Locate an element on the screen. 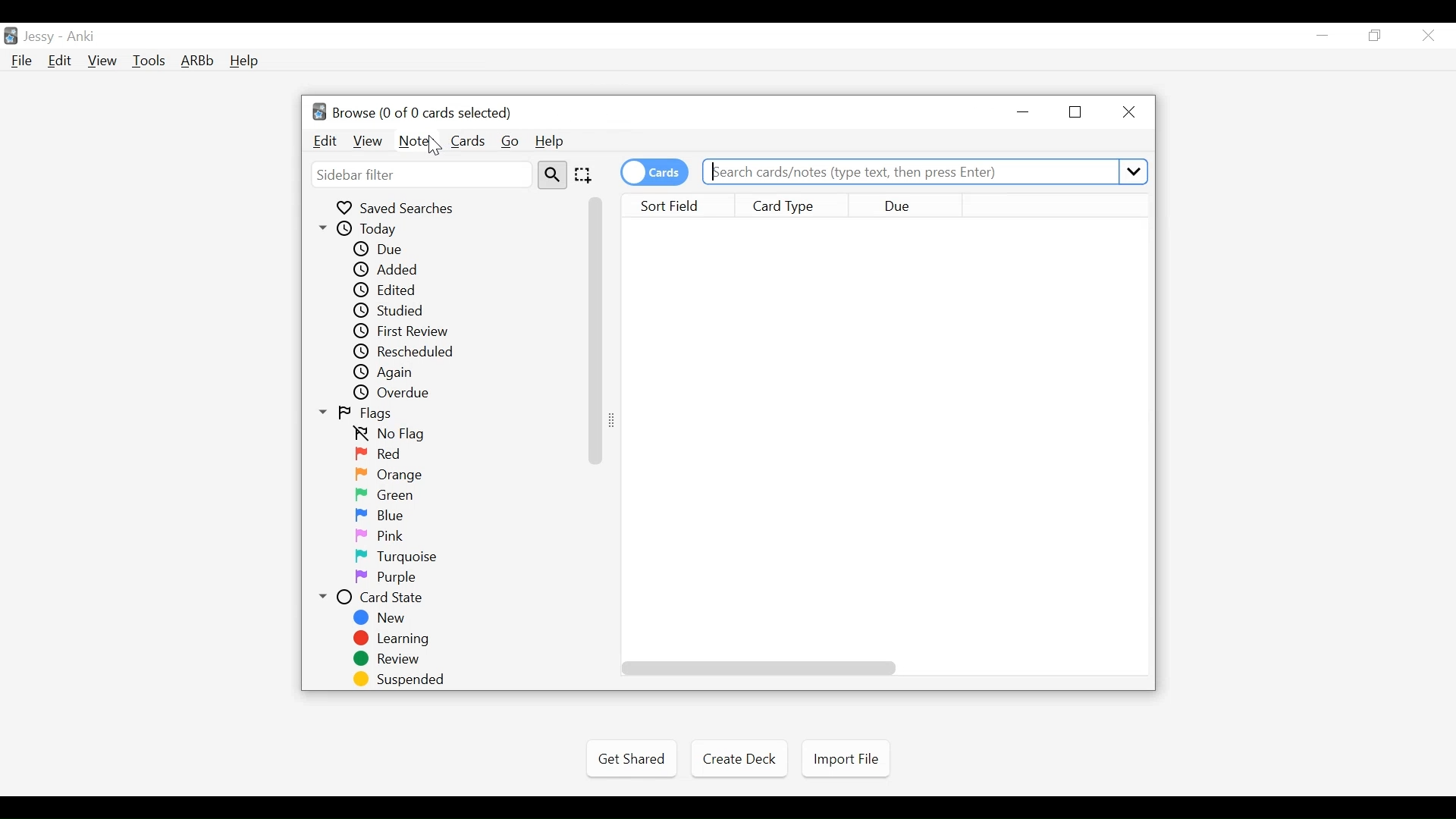 This screenshot has width=1456, height=819. Search Results is located at coordinates (888, 442).